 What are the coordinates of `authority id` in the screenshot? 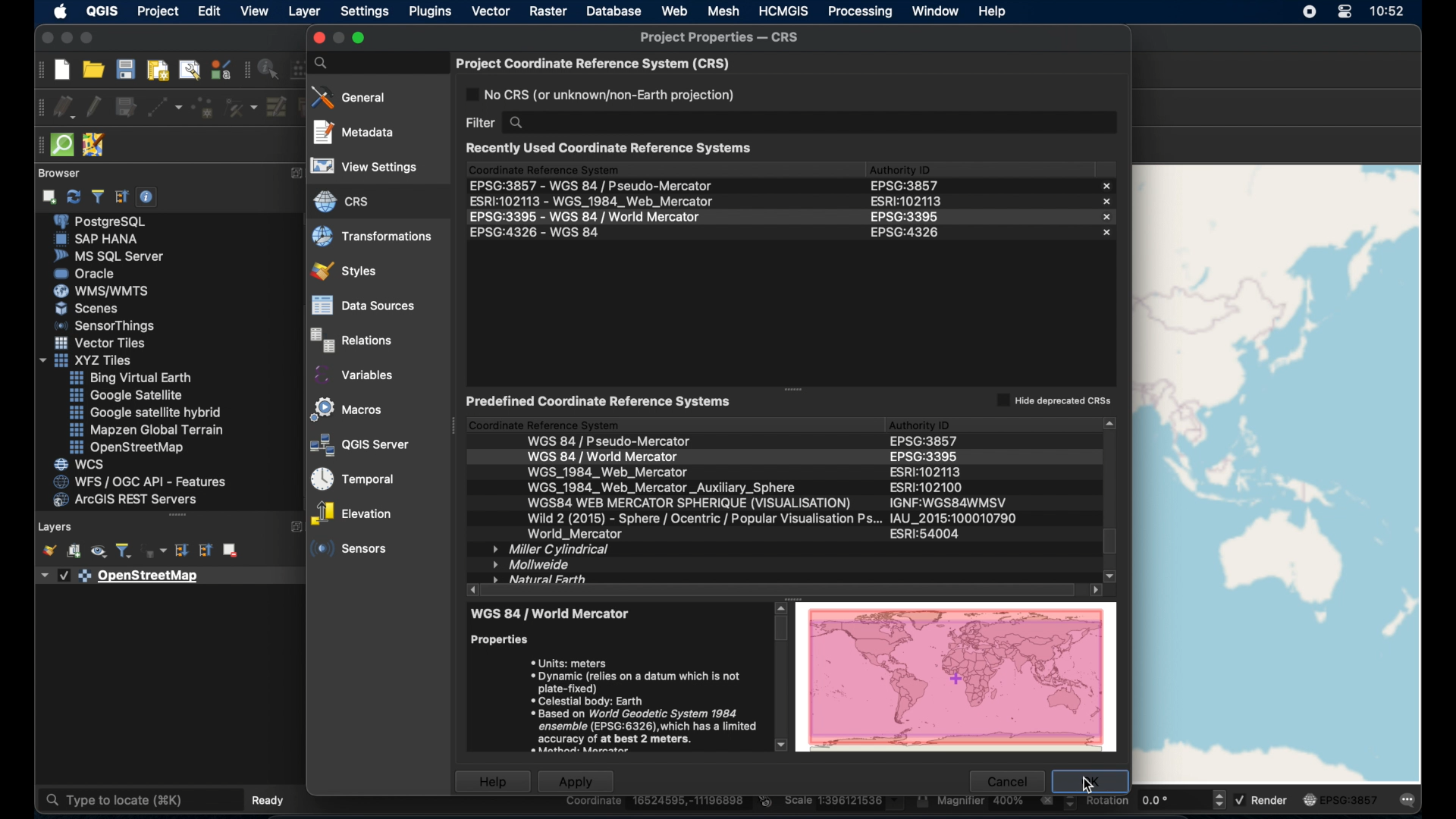 It's located at (957, 519).